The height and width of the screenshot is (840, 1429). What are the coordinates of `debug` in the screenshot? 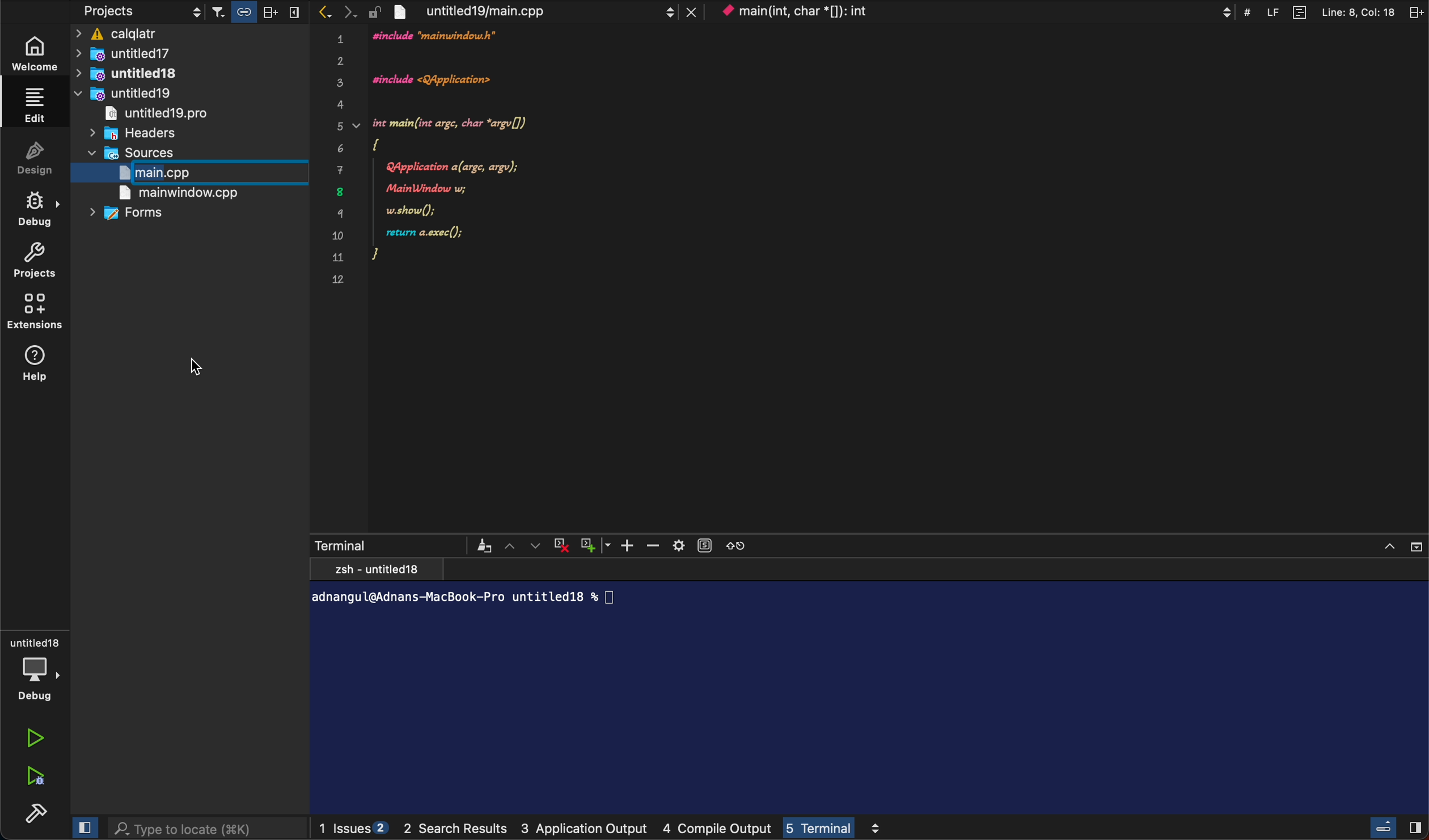 It's located at (36, 666).